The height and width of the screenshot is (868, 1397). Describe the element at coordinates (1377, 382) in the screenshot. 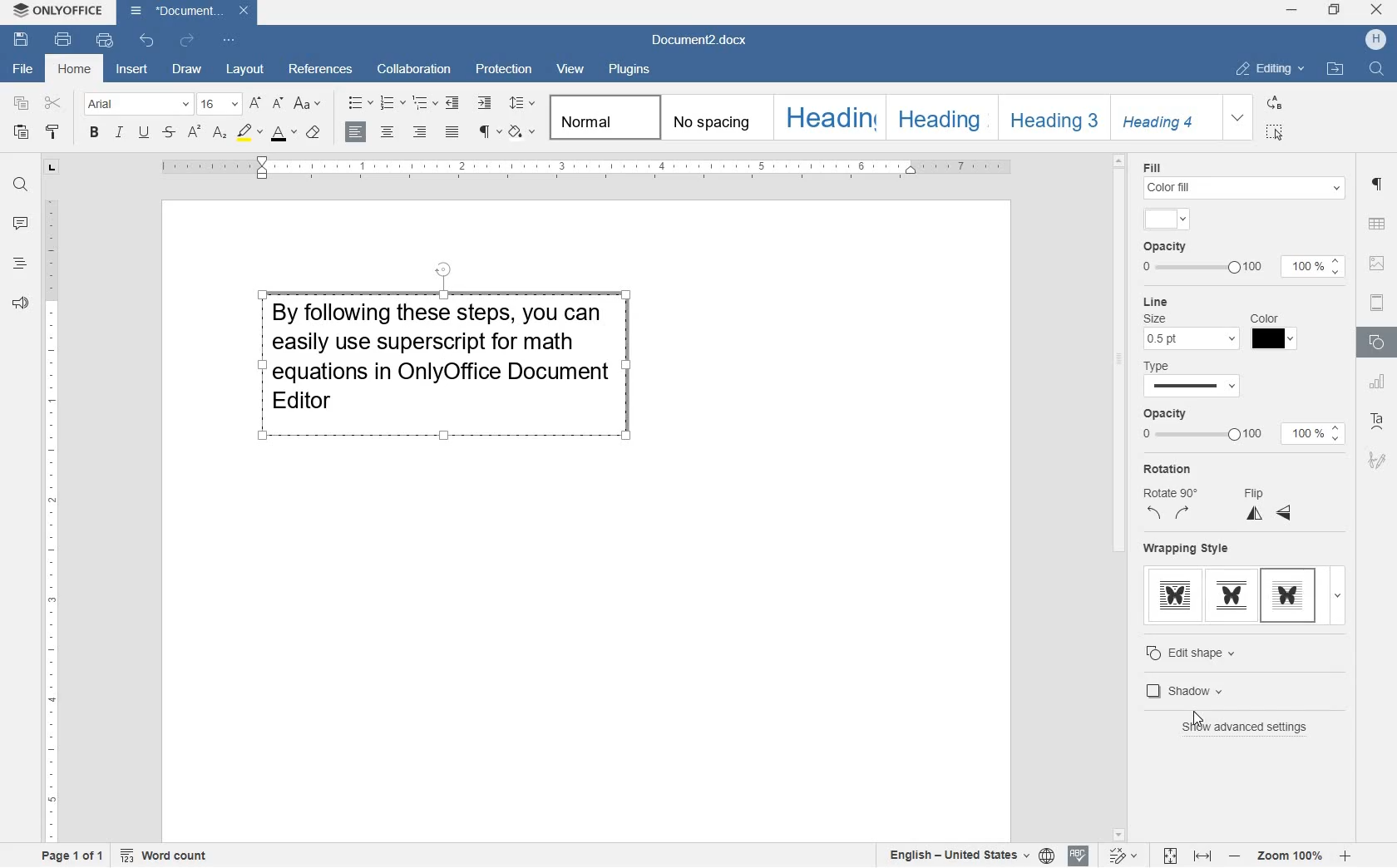

I see `chart` at that location.